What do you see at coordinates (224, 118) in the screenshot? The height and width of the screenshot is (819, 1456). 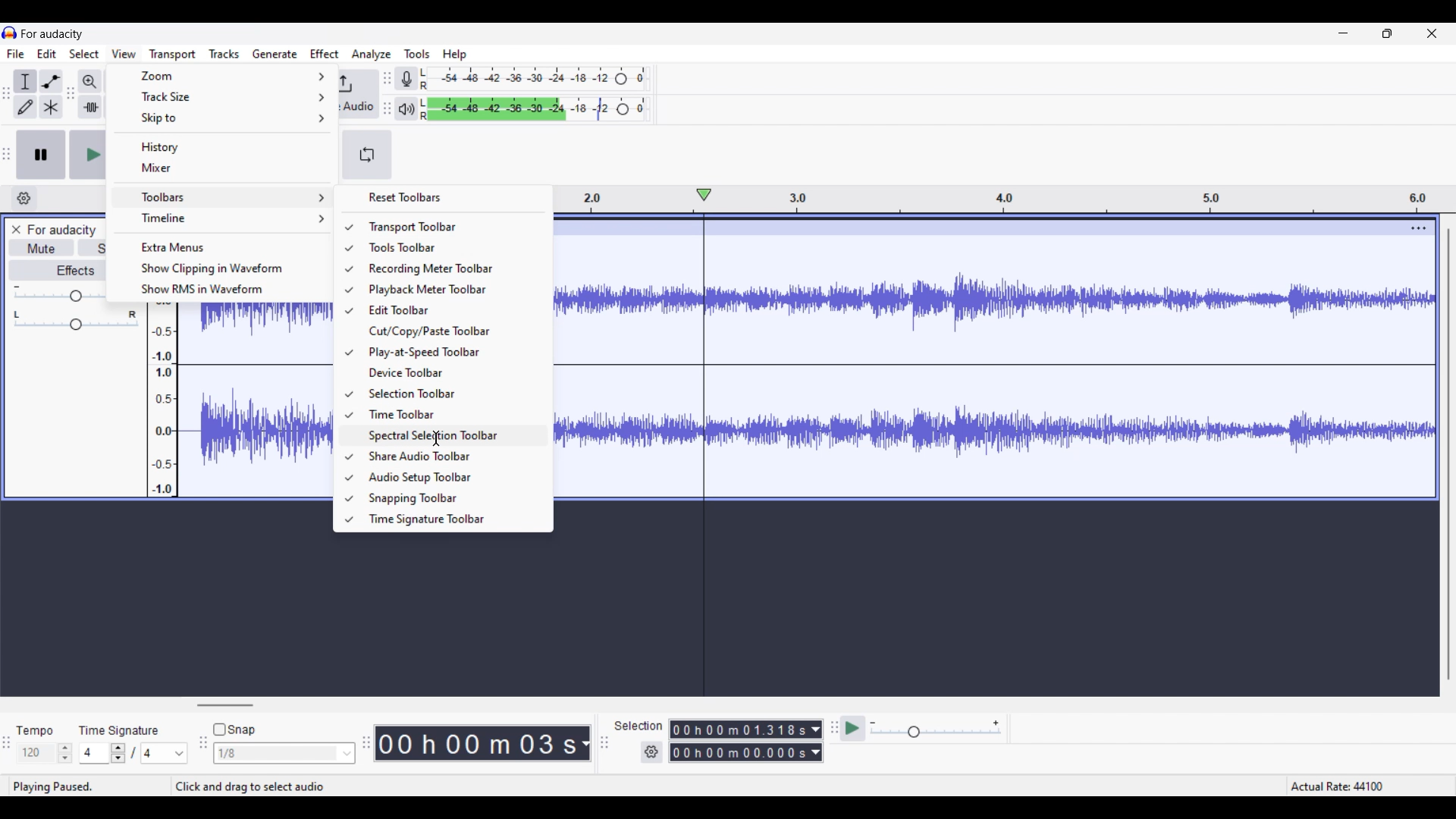 I see `Skip to options` at bounding box center [224, 118].